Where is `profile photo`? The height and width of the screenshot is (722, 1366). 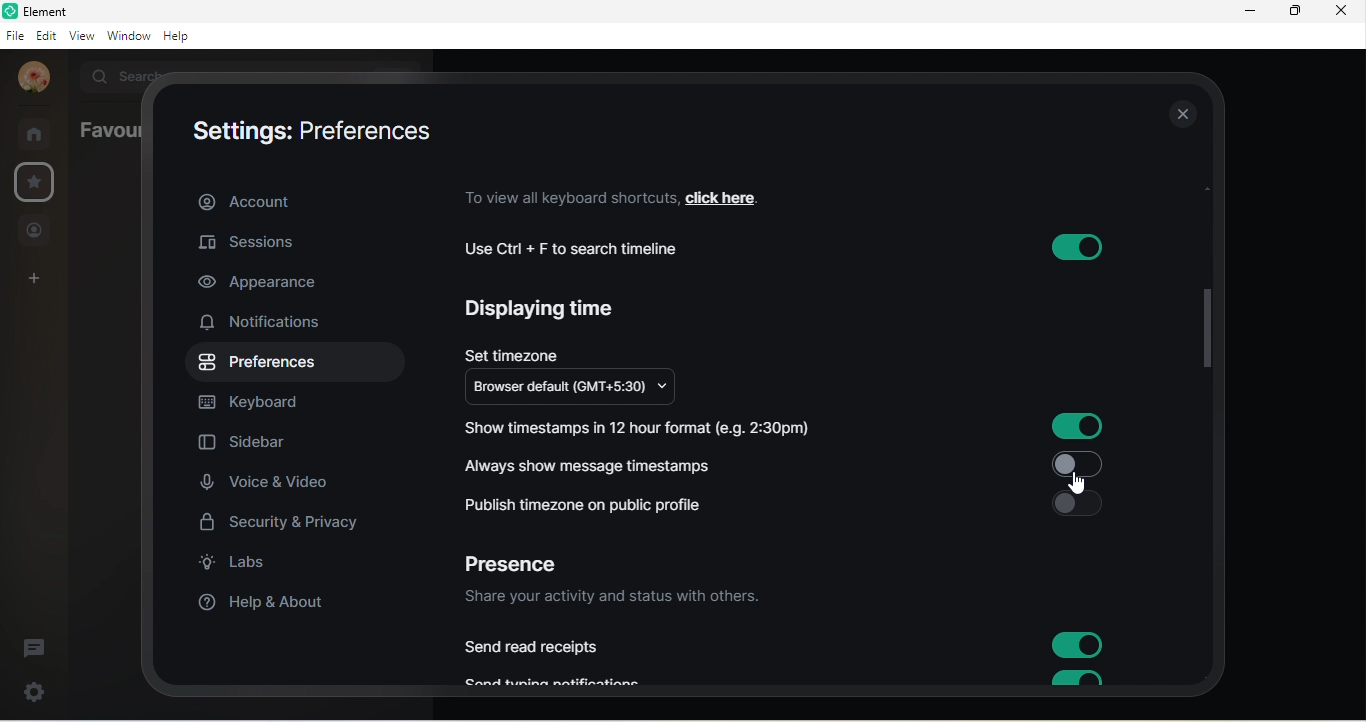
profile photo is located at coordinates (30, 78).